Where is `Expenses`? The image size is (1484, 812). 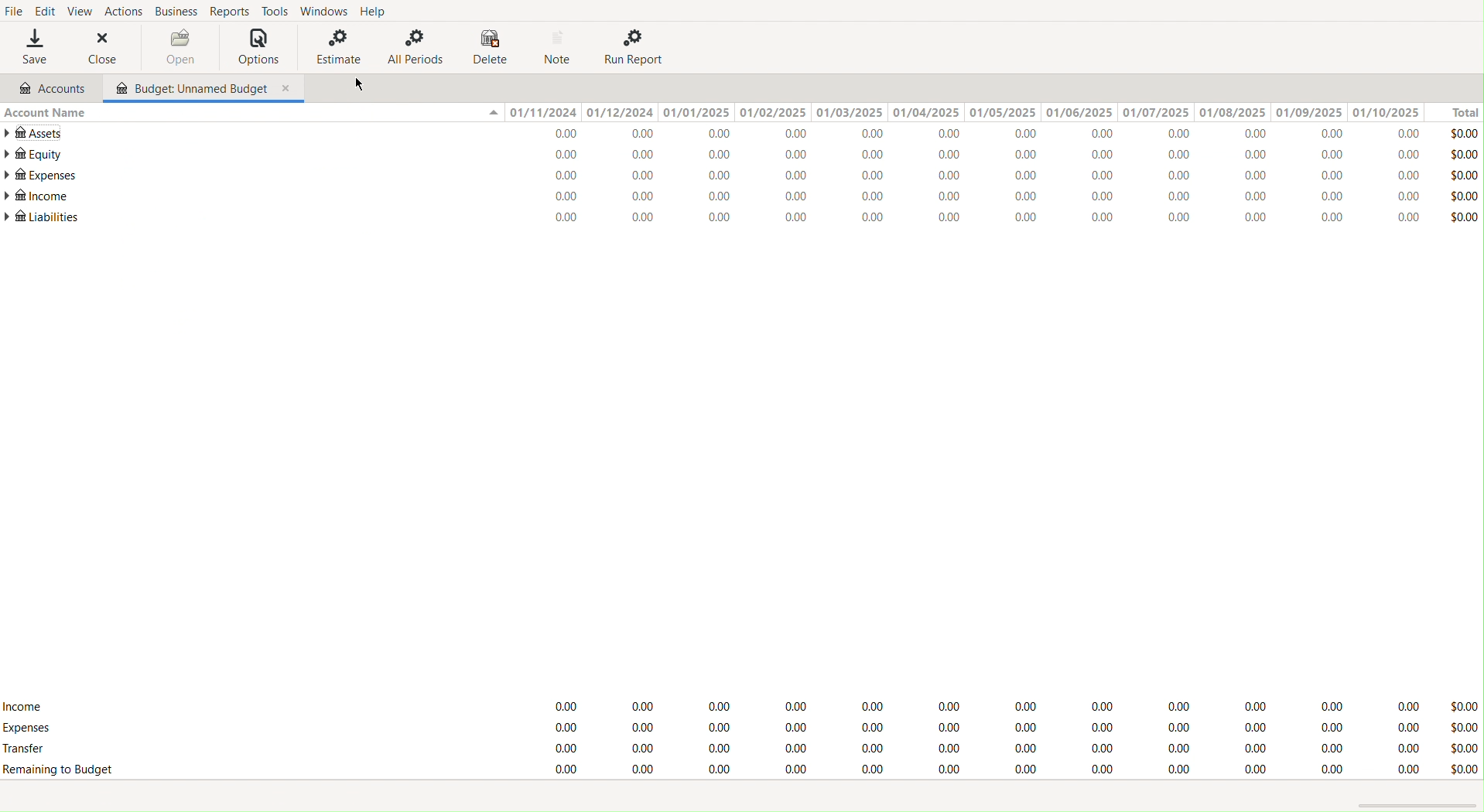 Expenses is located at coordinates (42, 176).